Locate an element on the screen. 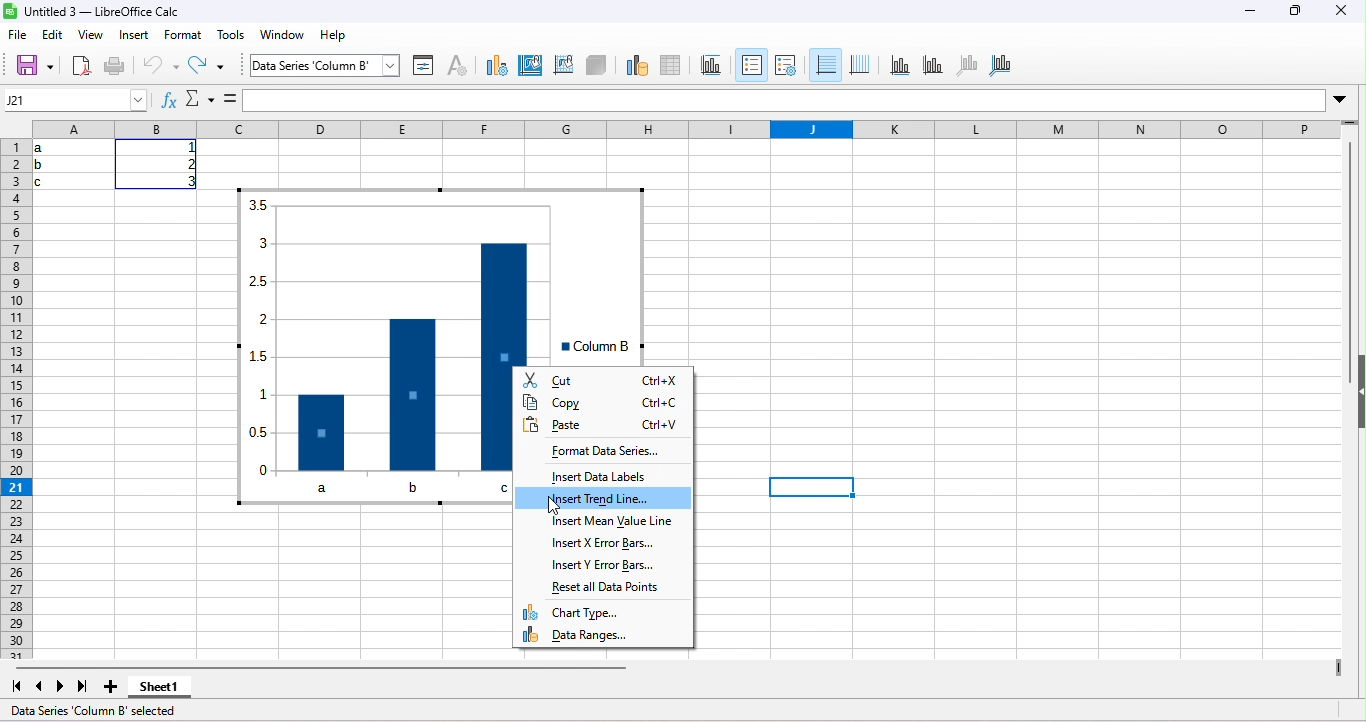 The width and height of the screenshot is (1366, 722). formula is located at coordinates (228, 96).